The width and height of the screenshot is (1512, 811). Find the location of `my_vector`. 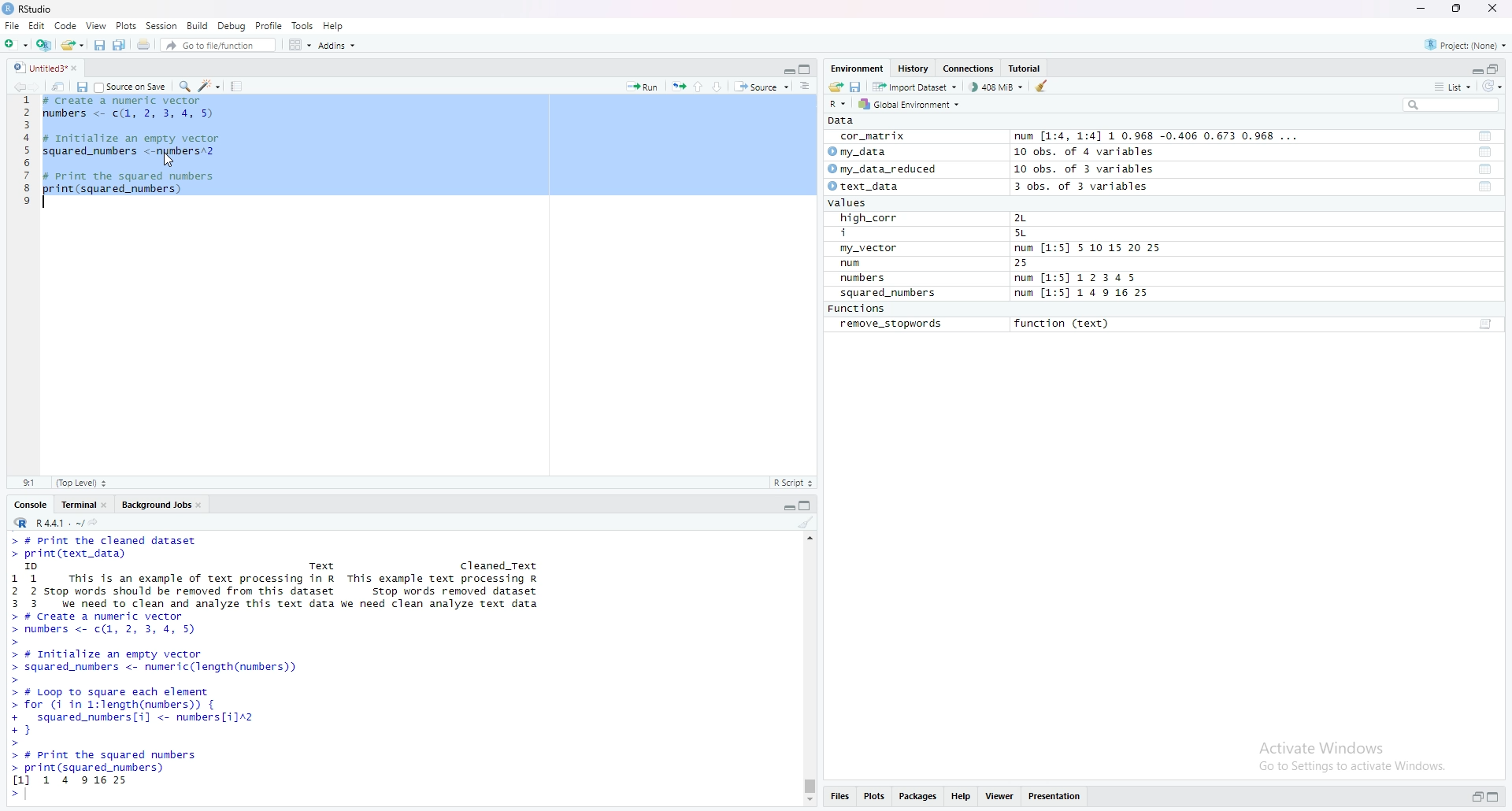

my_vector is located at coordinates (870, 249).